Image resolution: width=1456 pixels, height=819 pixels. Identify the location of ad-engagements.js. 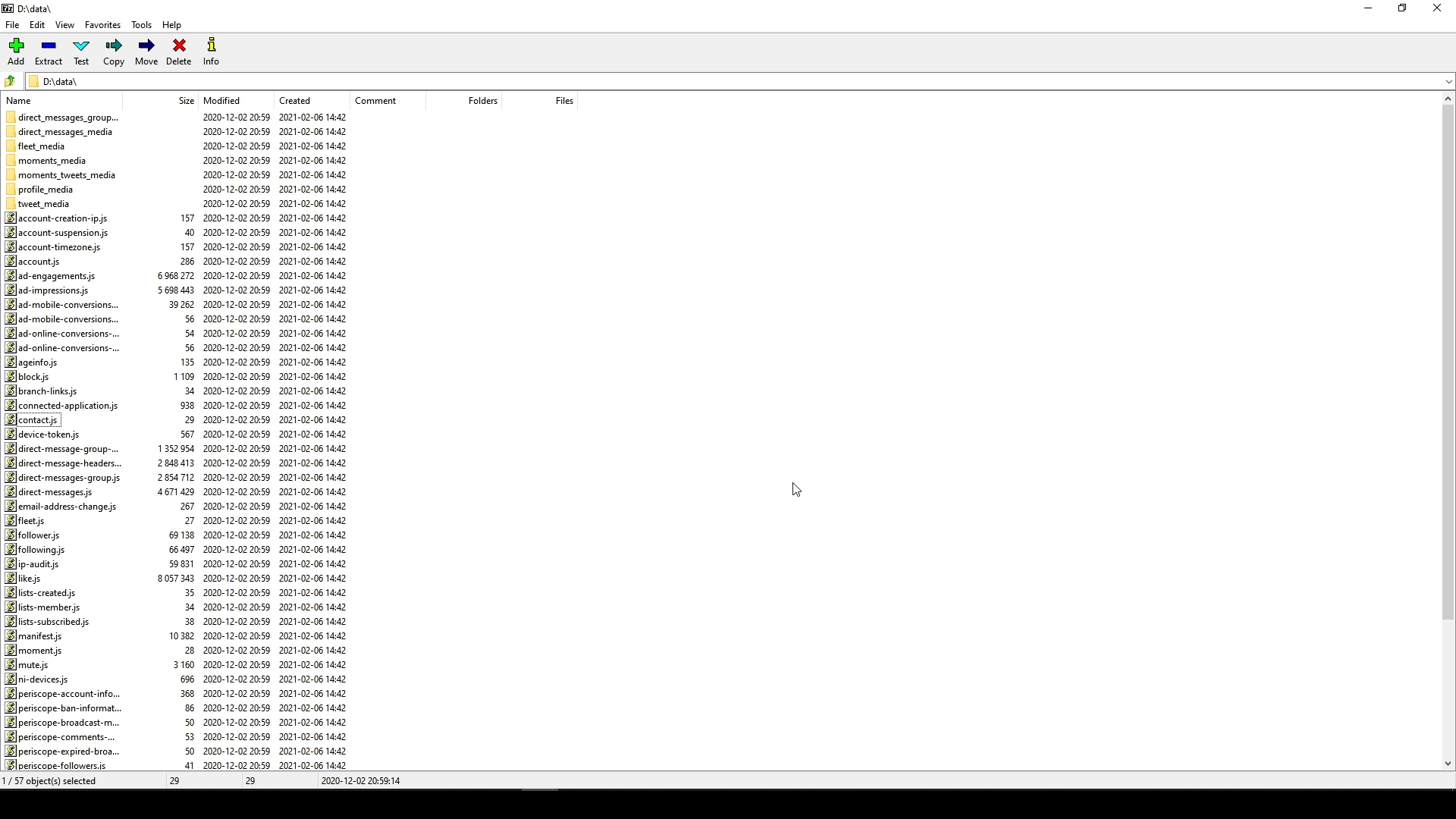
(49, 275).